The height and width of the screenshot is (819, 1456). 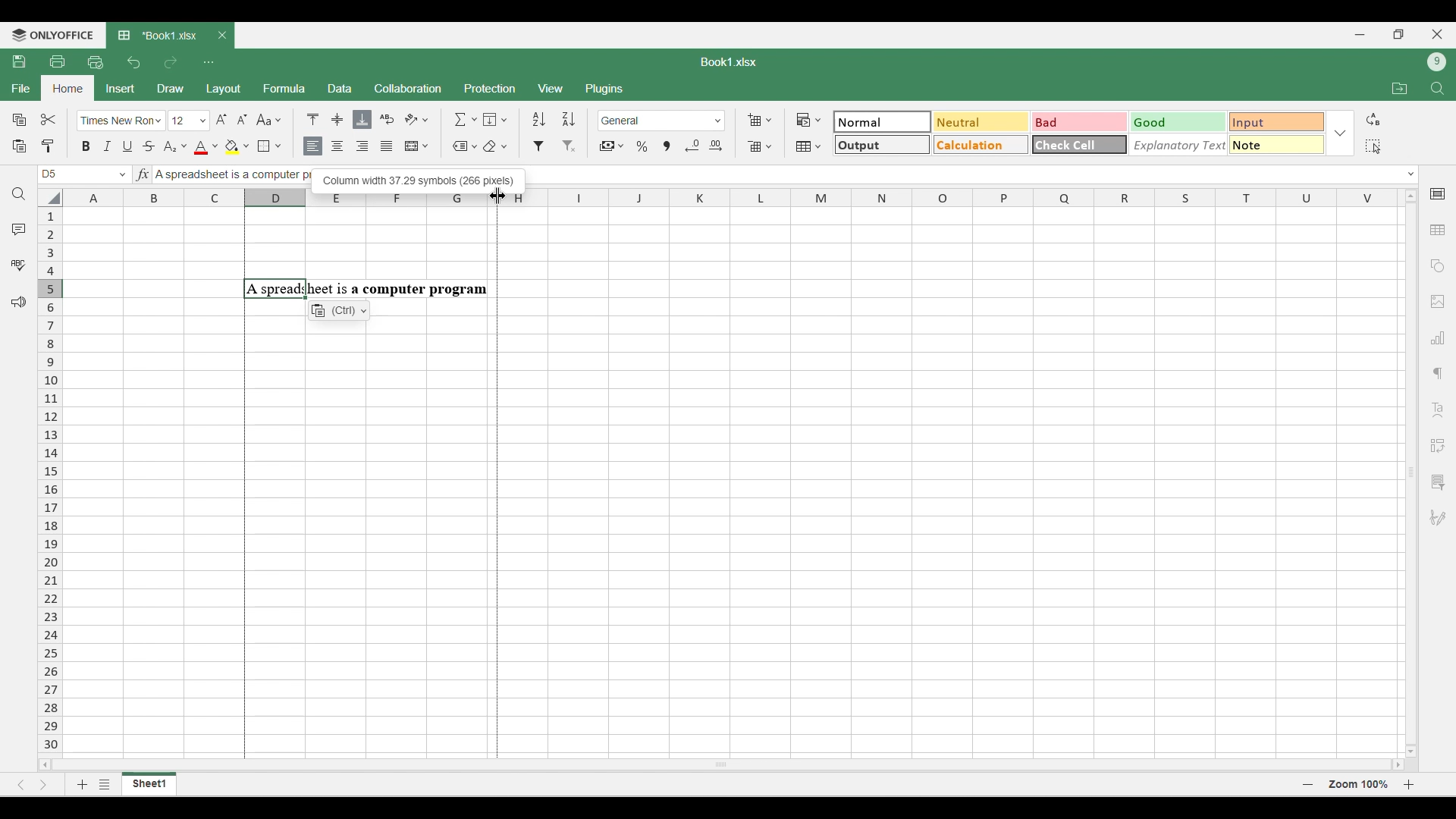 I want to click on Protection menu, so click(x=489, y=88).